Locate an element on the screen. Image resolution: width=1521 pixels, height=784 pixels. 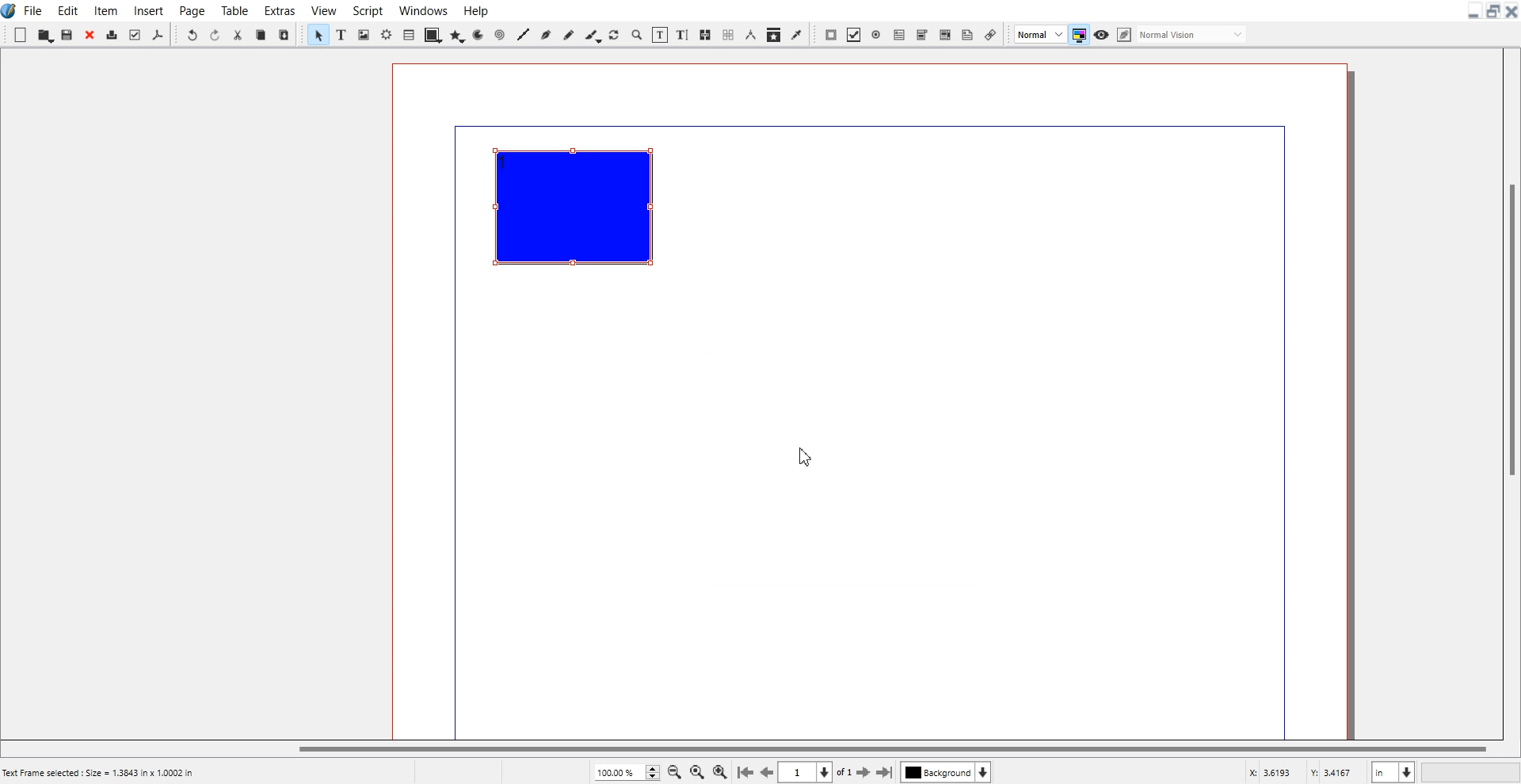
Spiral is located at coordinates (498, 34).